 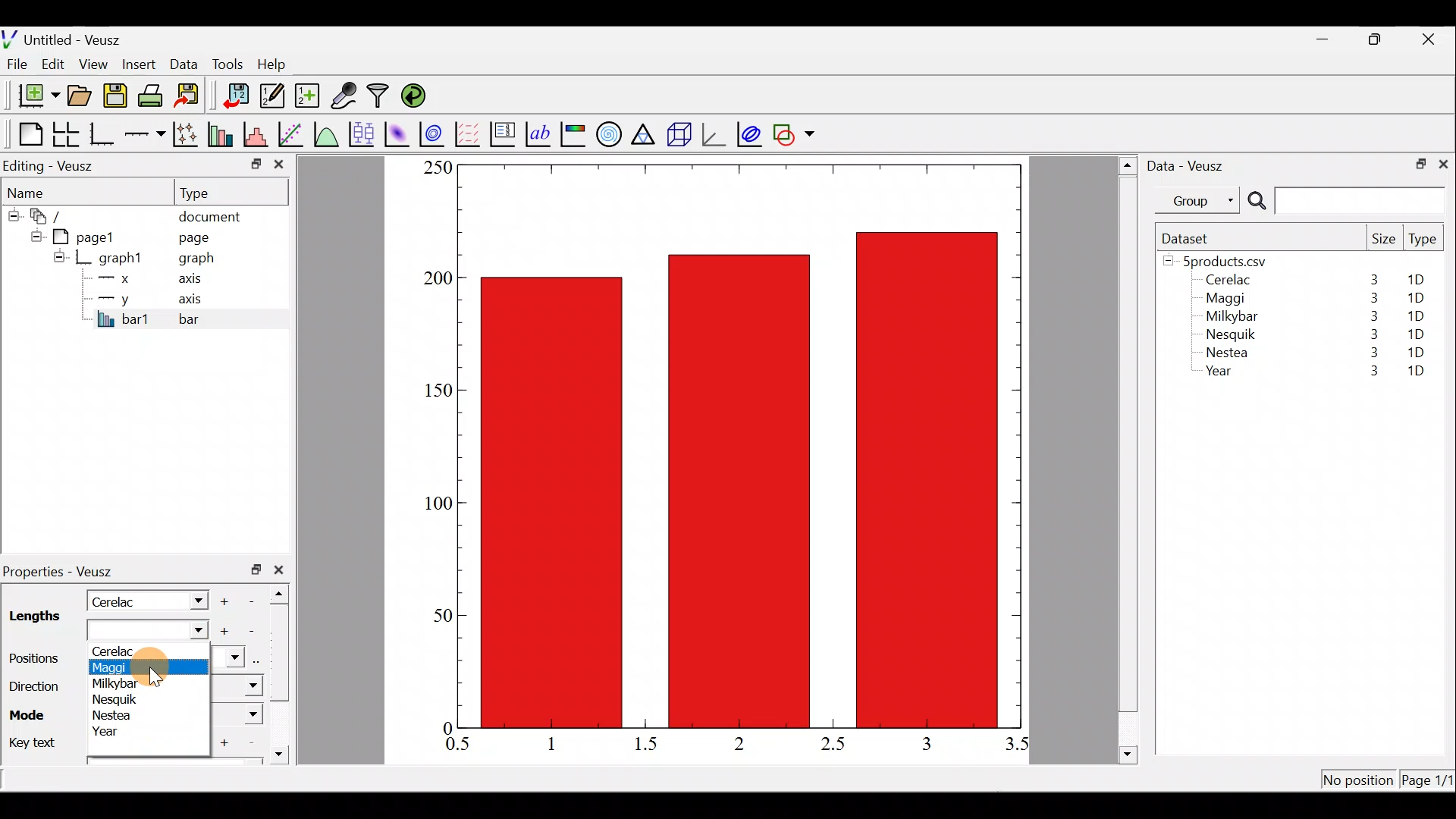 What do you see at coordinates (1370, 355) in the screenshot?
I see `3` at bounding box center [1370, 355].